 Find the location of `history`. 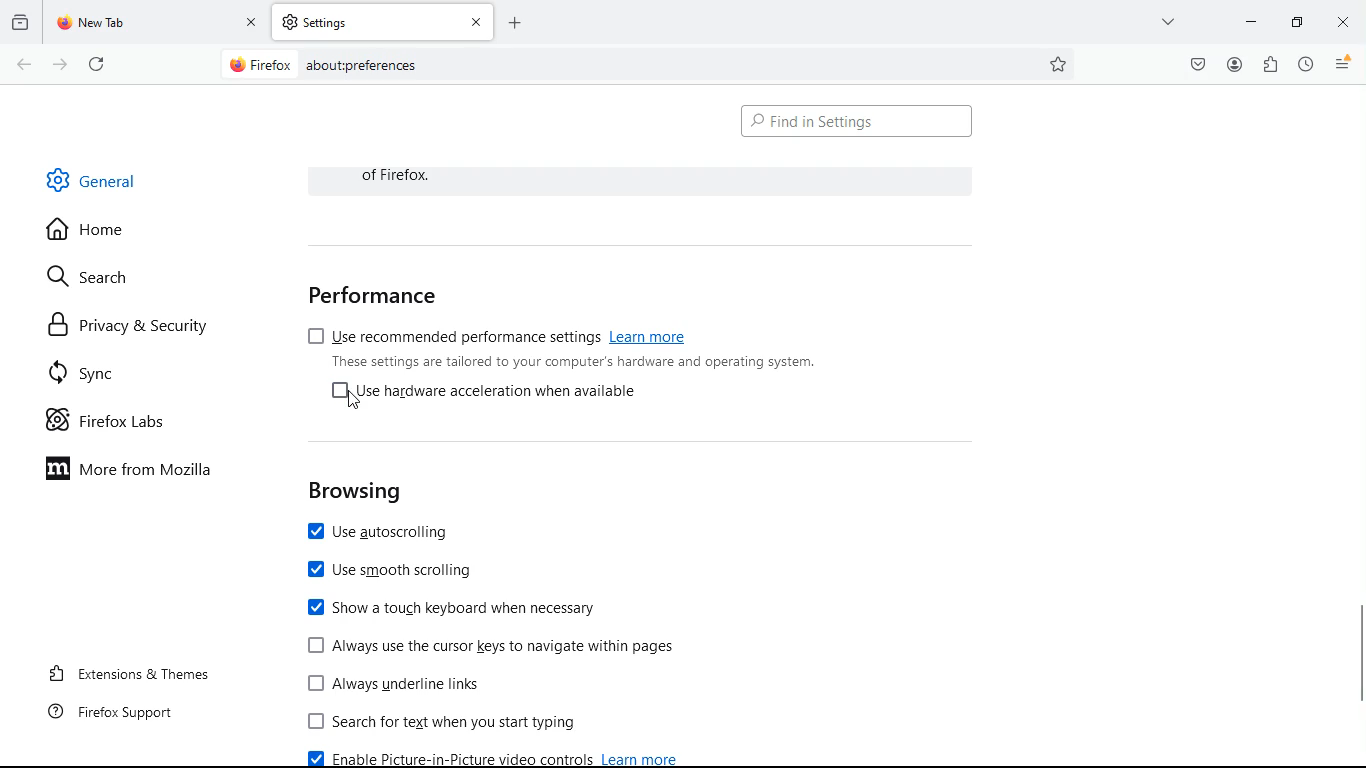

history is located at coordinates (20, 23).